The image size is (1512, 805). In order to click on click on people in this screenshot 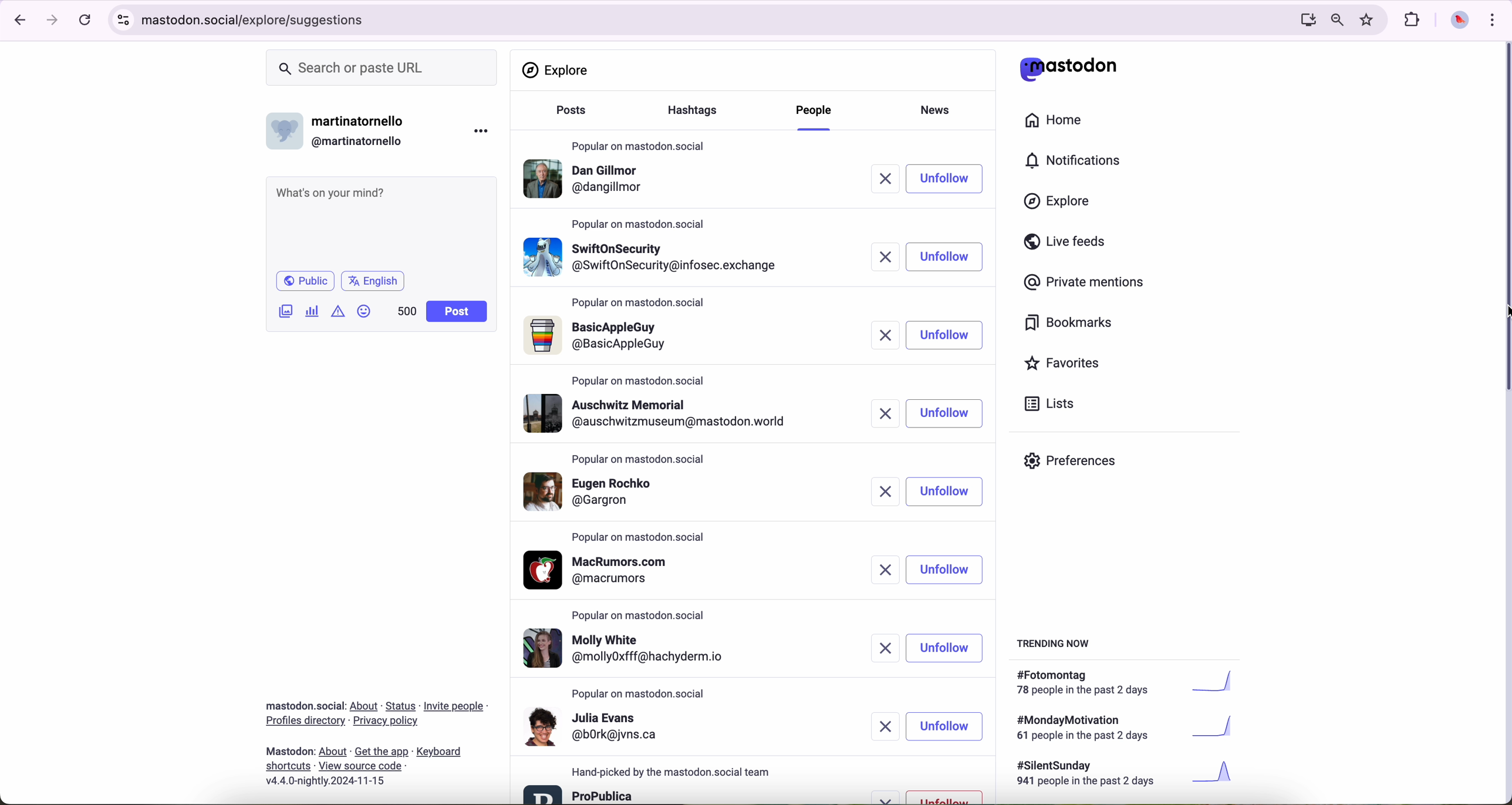, I will do `click(816, 116)`.